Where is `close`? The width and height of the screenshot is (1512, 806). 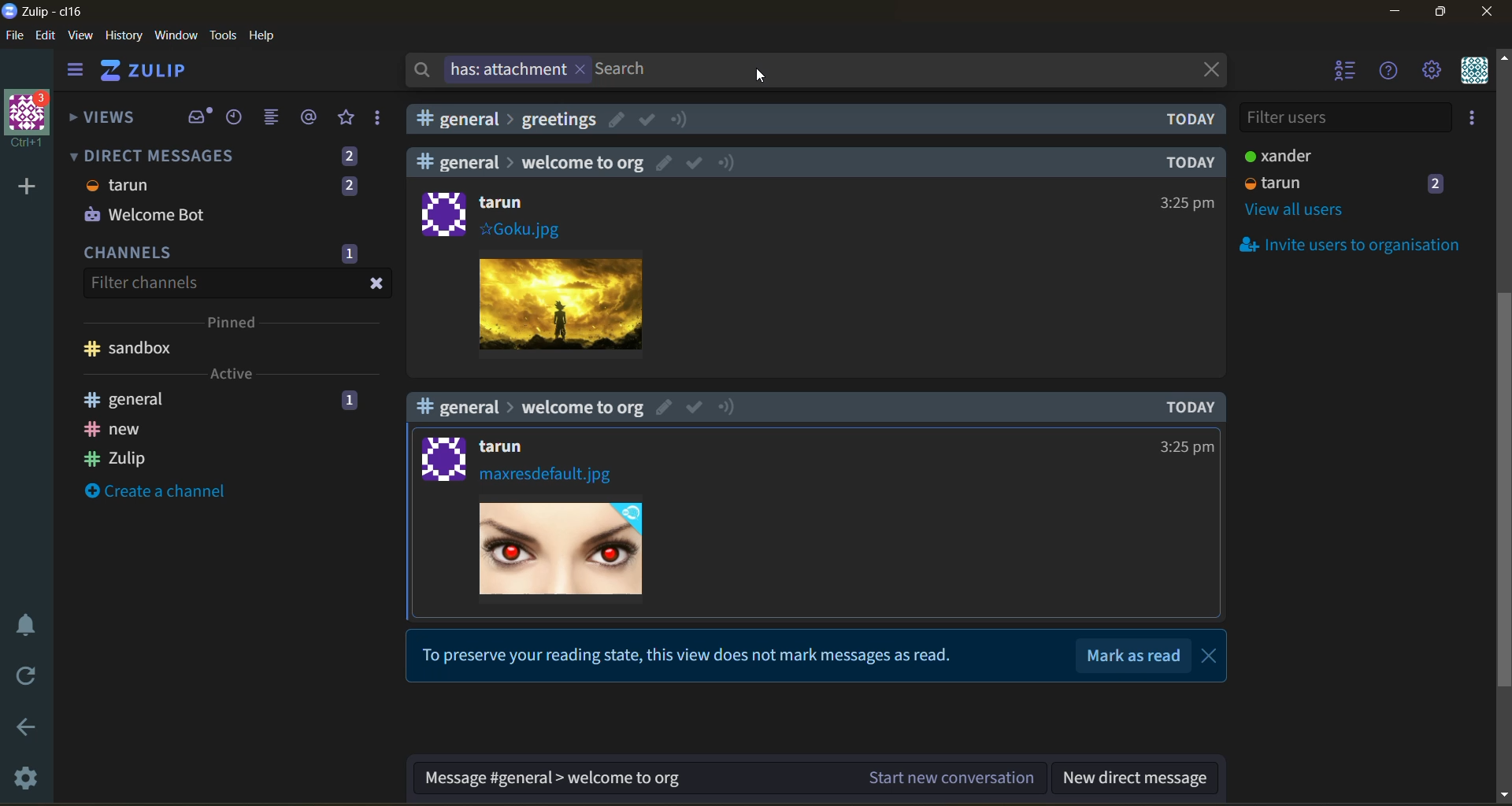
close is located at coordinates (378, 284).